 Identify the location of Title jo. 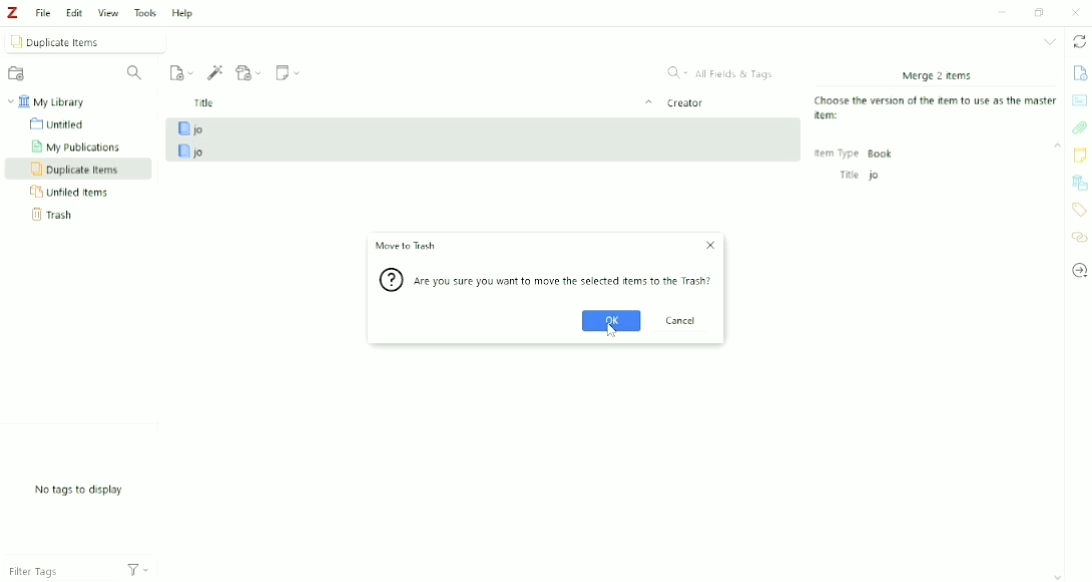
(858, 175).